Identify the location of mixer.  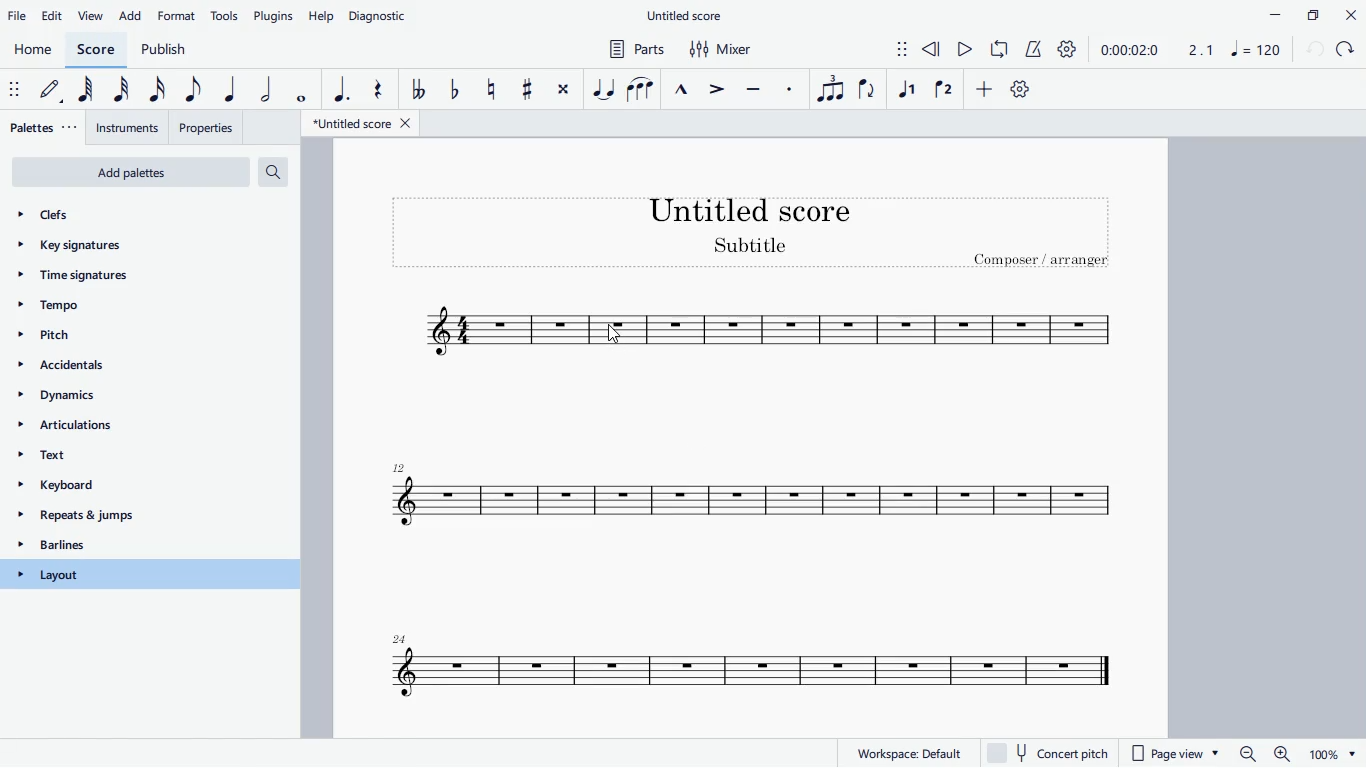
(723, 50).